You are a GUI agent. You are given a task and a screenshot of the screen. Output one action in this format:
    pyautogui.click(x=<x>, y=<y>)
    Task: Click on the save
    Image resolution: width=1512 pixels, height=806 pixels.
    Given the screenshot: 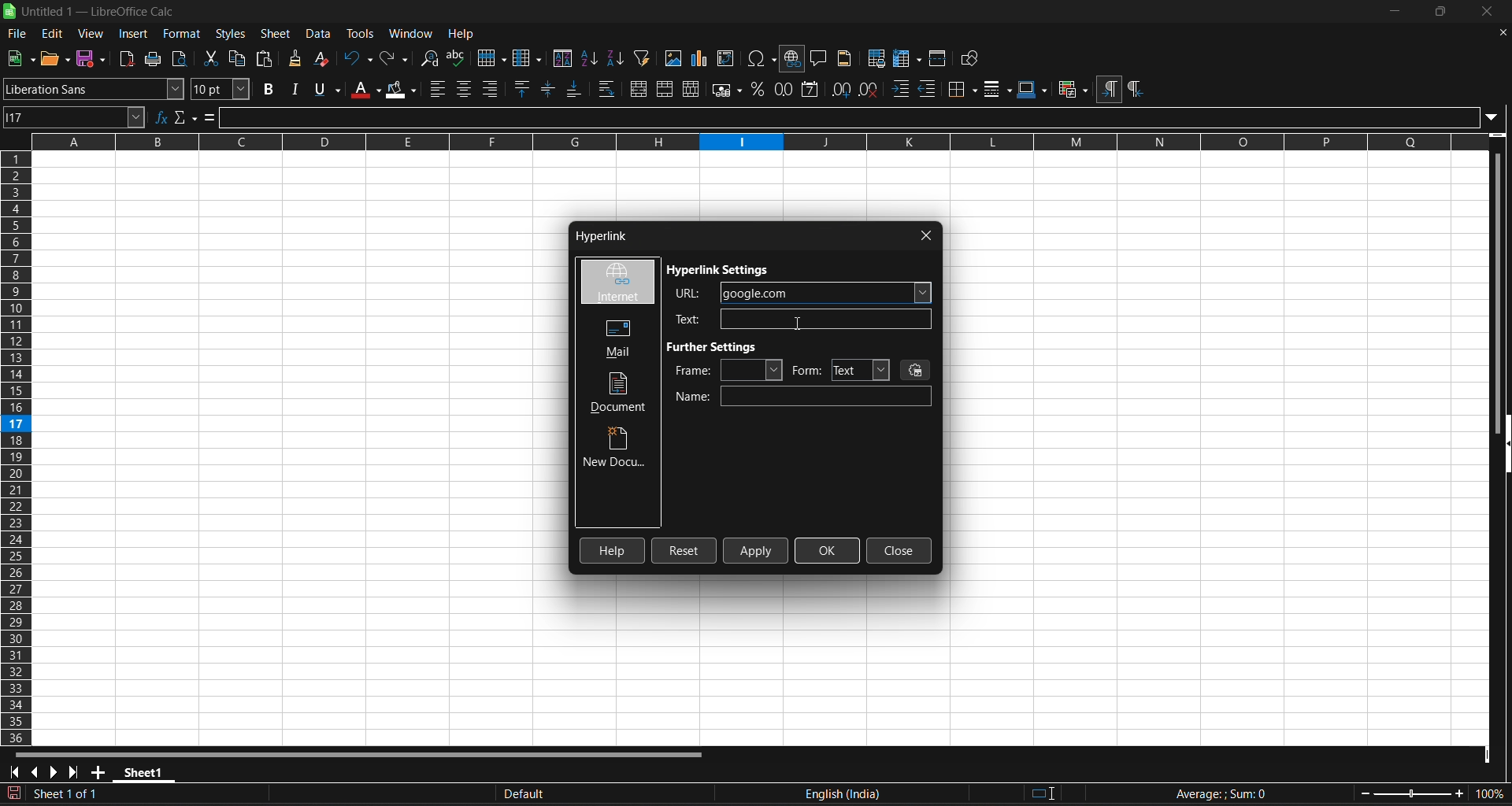 What is the action you would take?
    pyautogui.click(x=92, y=59)
    